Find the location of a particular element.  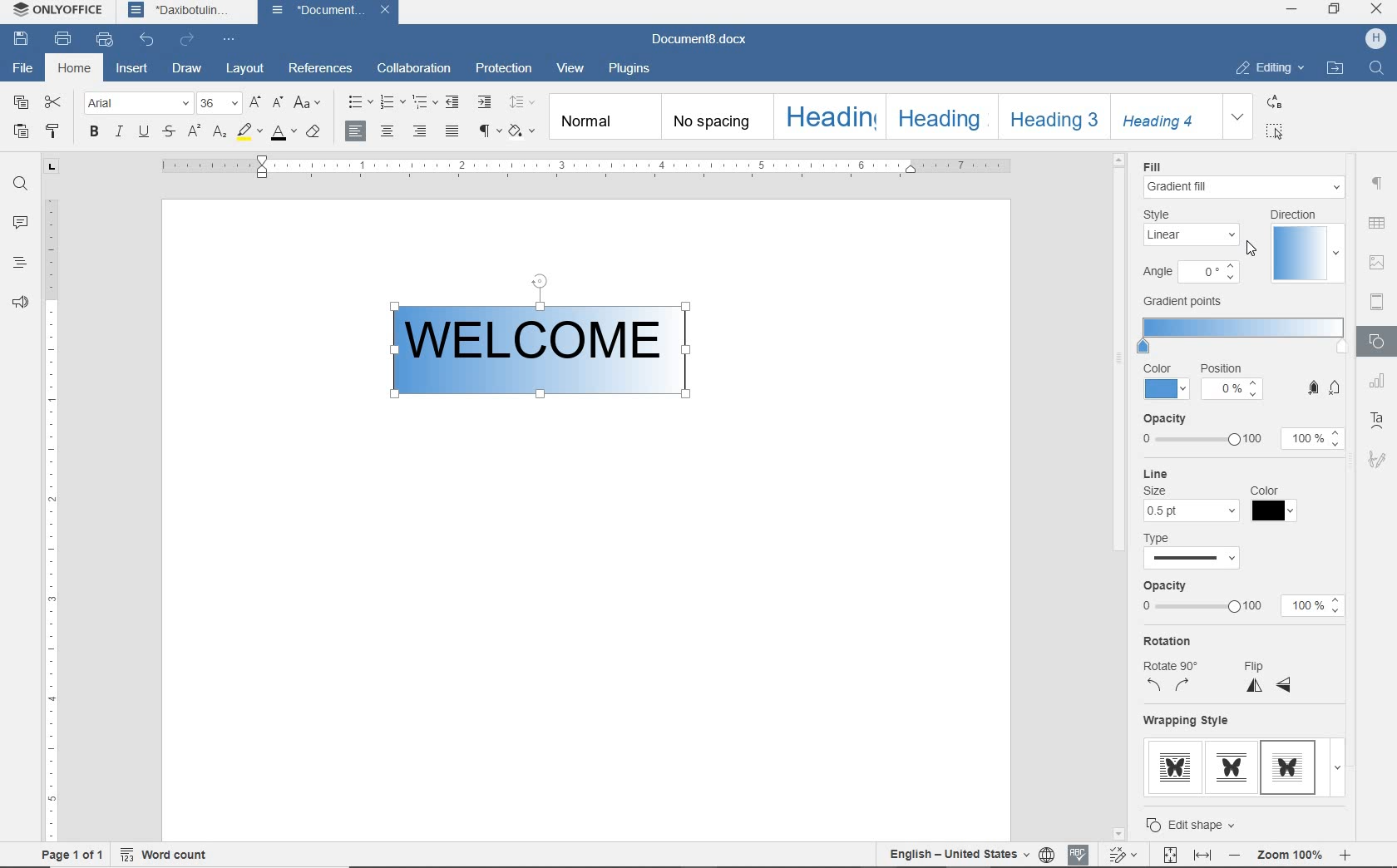

opacity input is located at coordinates (1313, 438).